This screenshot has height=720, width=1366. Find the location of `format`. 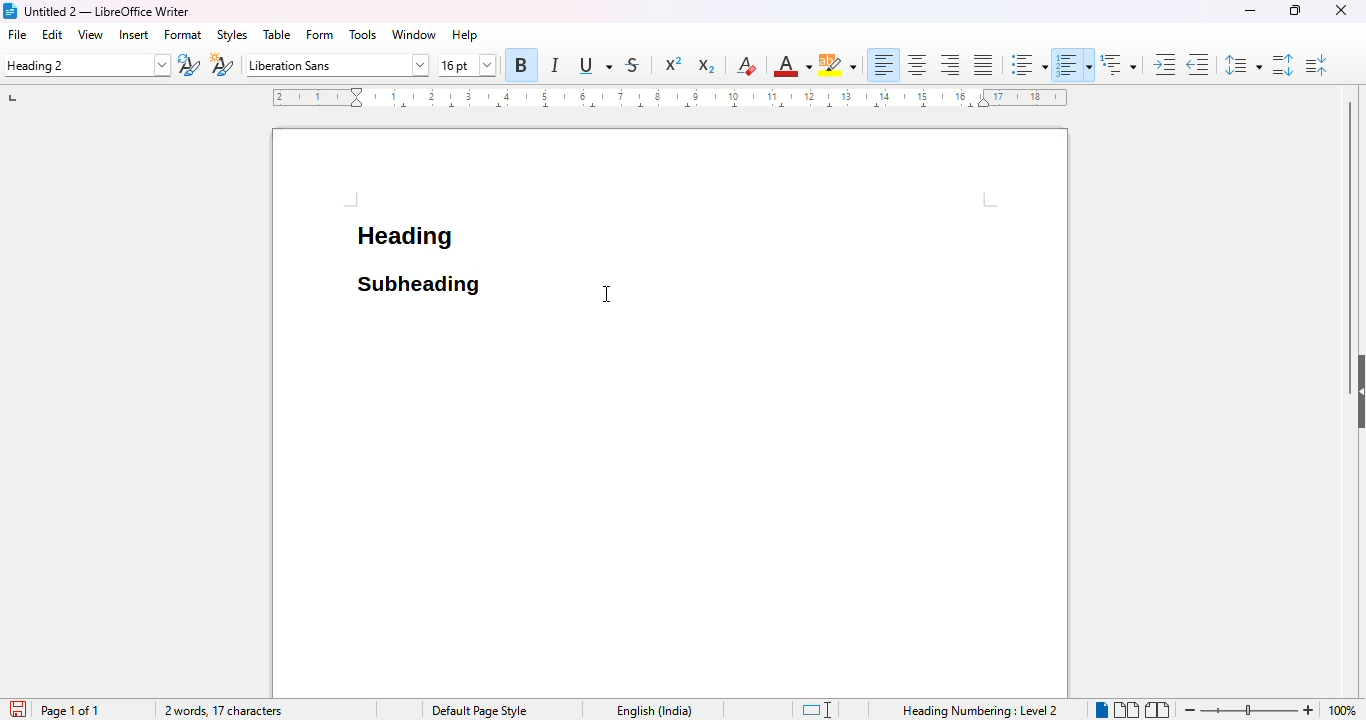

format is located at coordinates (184, 35).